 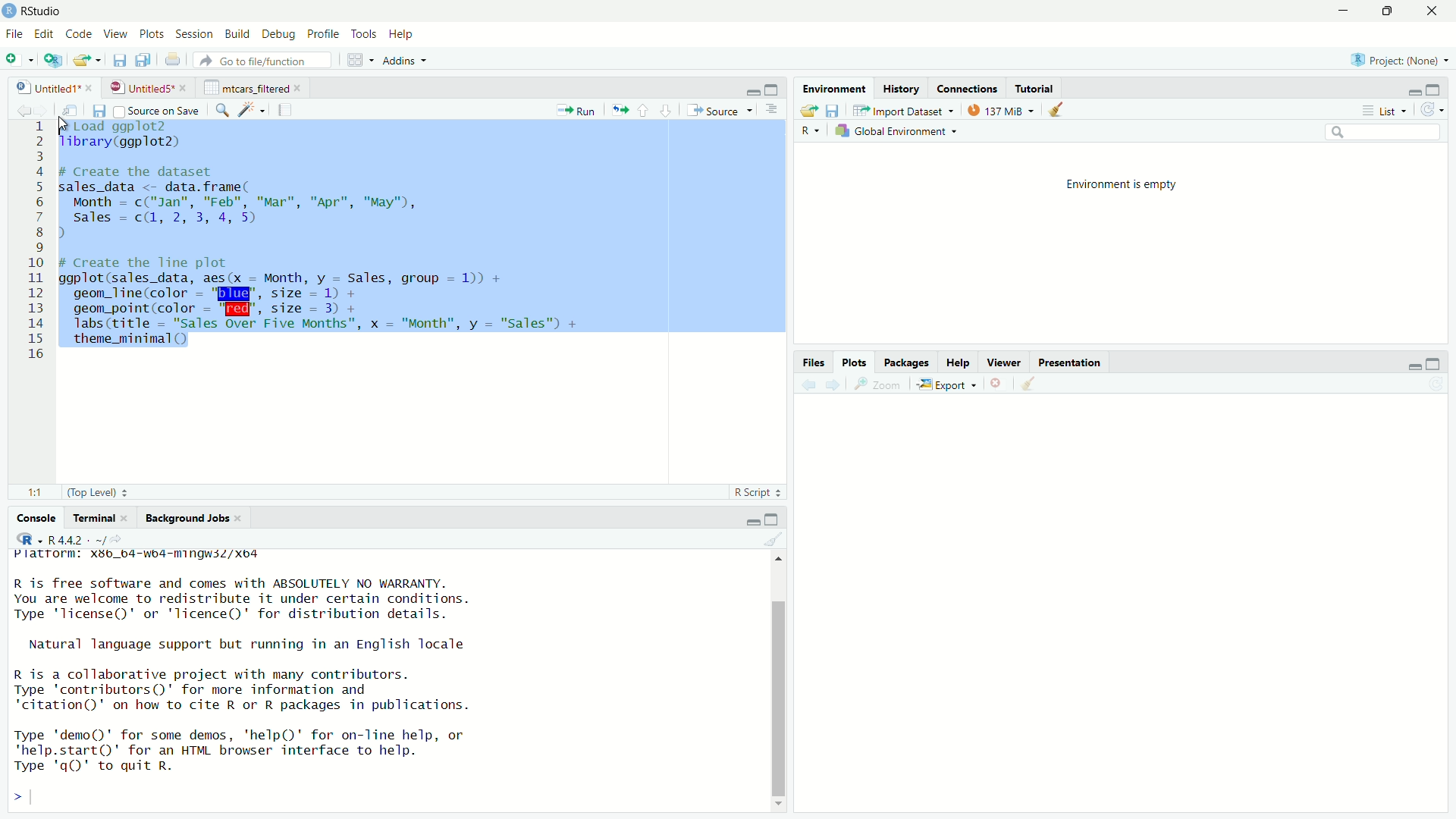 I want to click on show in new window, so click(x=76, y=110).